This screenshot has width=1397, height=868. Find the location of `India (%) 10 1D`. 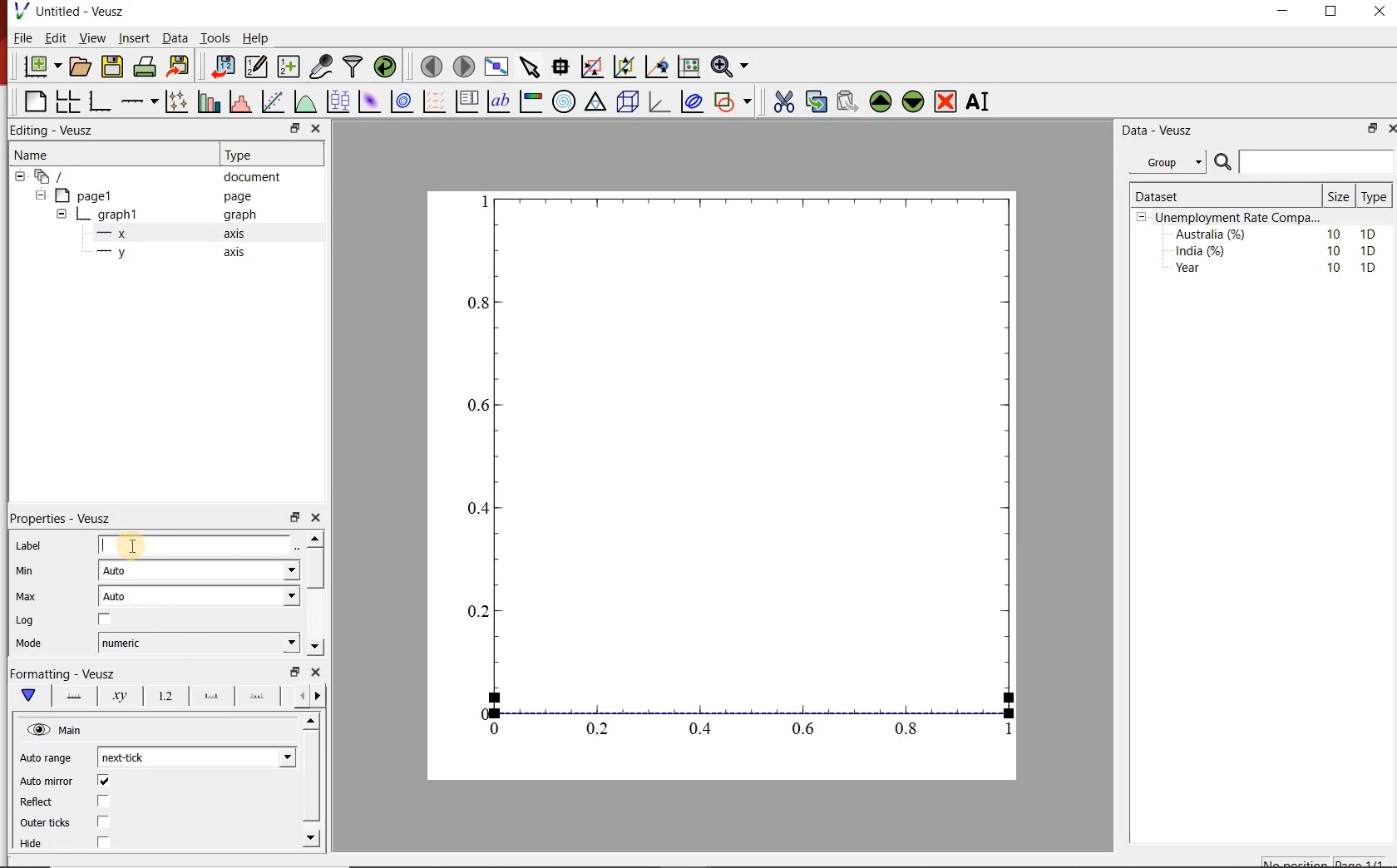

India (%) 10 1D is located at coordinates (1277, 250).